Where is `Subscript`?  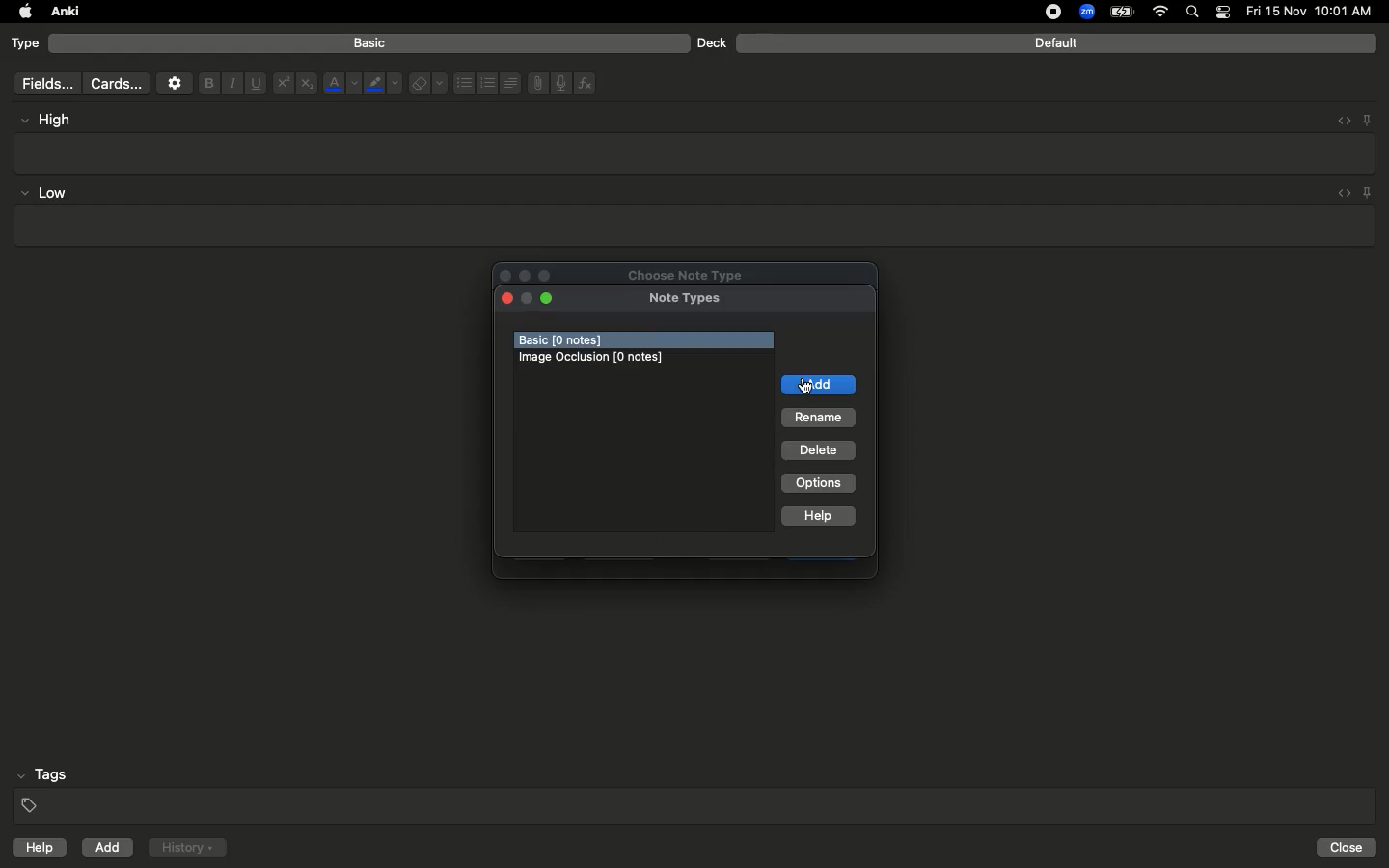 Subscript is located at coordinates (307, 84).